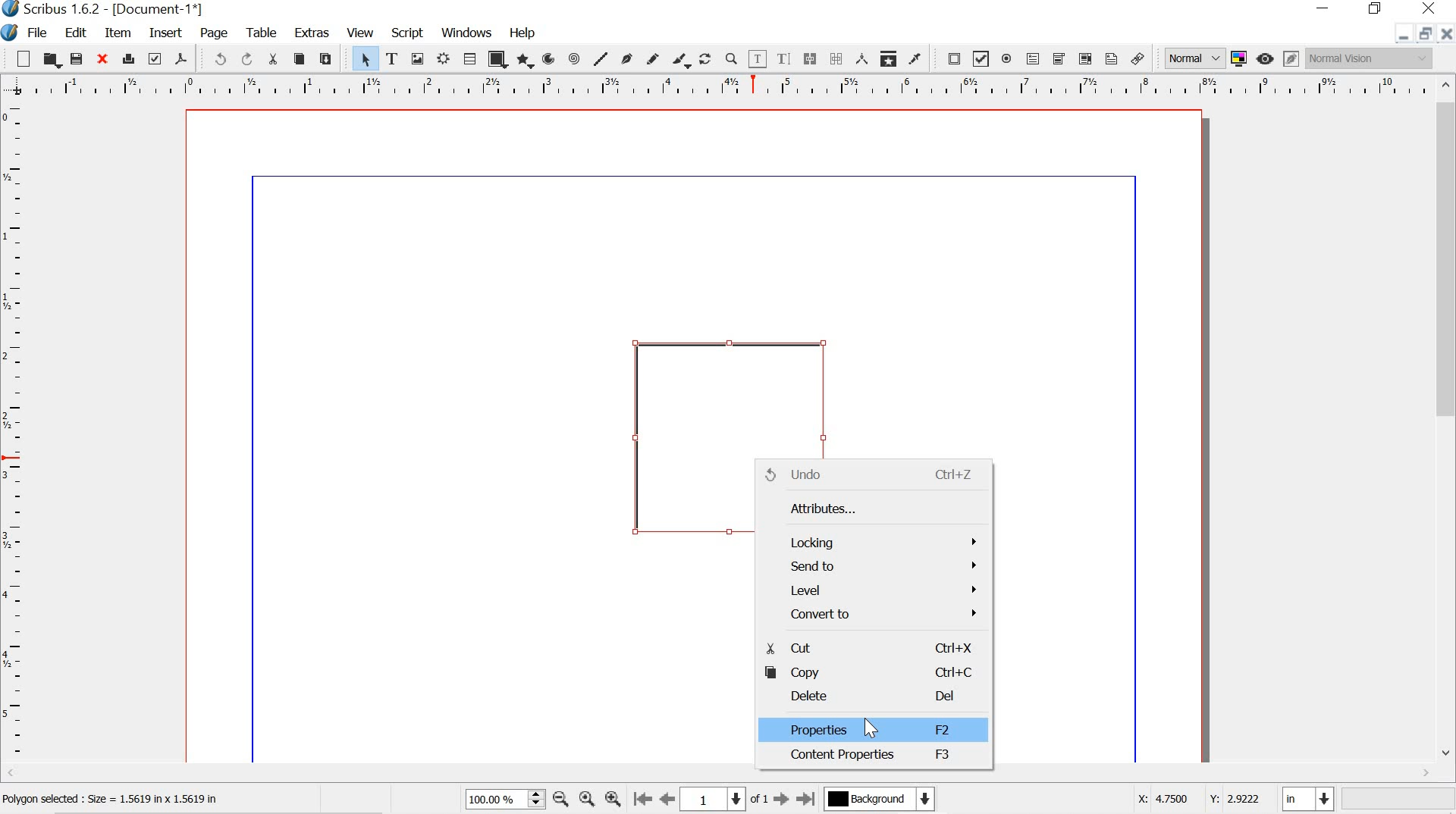 The image size is (1456, 814). I want to click on polygon, so click(526, 61).